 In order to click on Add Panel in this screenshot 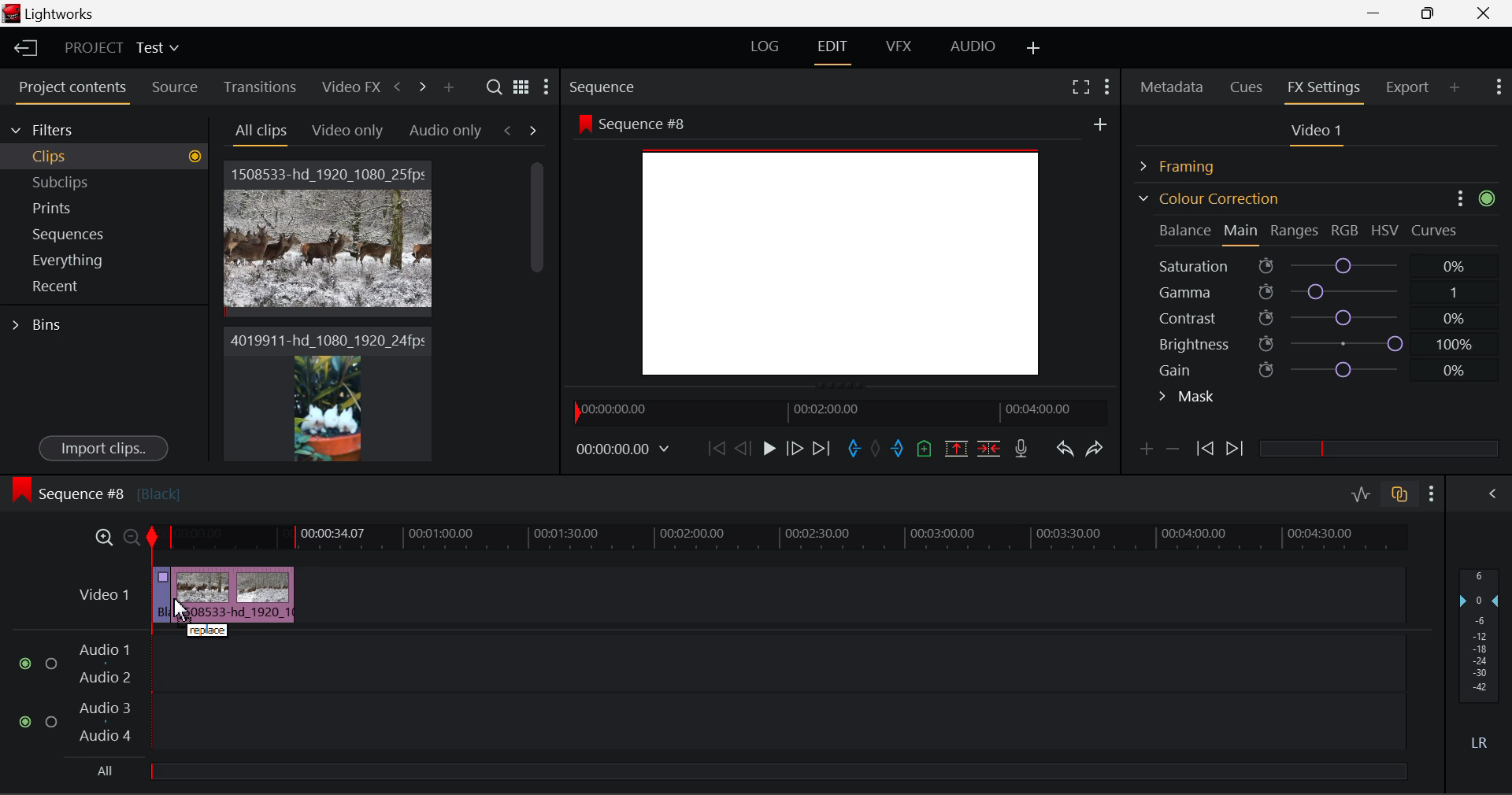, I will do `click(448, 88)`.